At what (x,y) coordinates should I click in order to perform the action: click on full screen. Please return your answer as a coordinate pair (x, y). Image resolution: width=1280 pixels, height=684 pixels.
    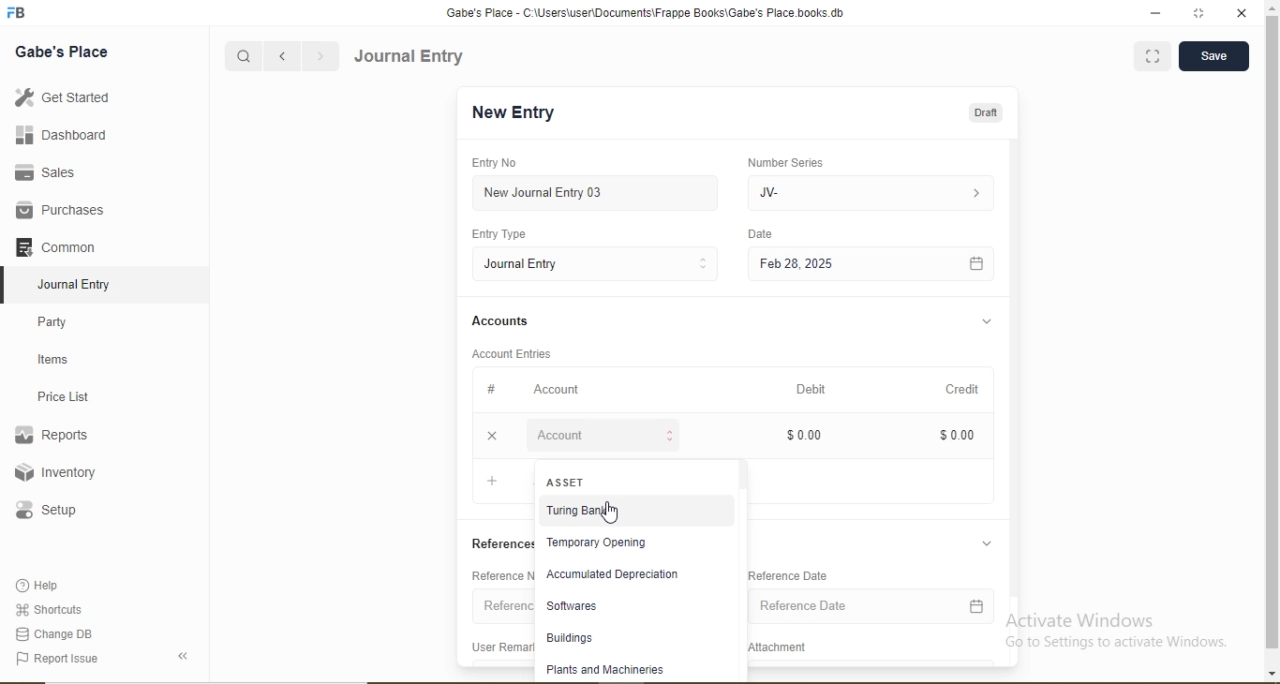
    Looking at the image, I should click on (1198, 13).